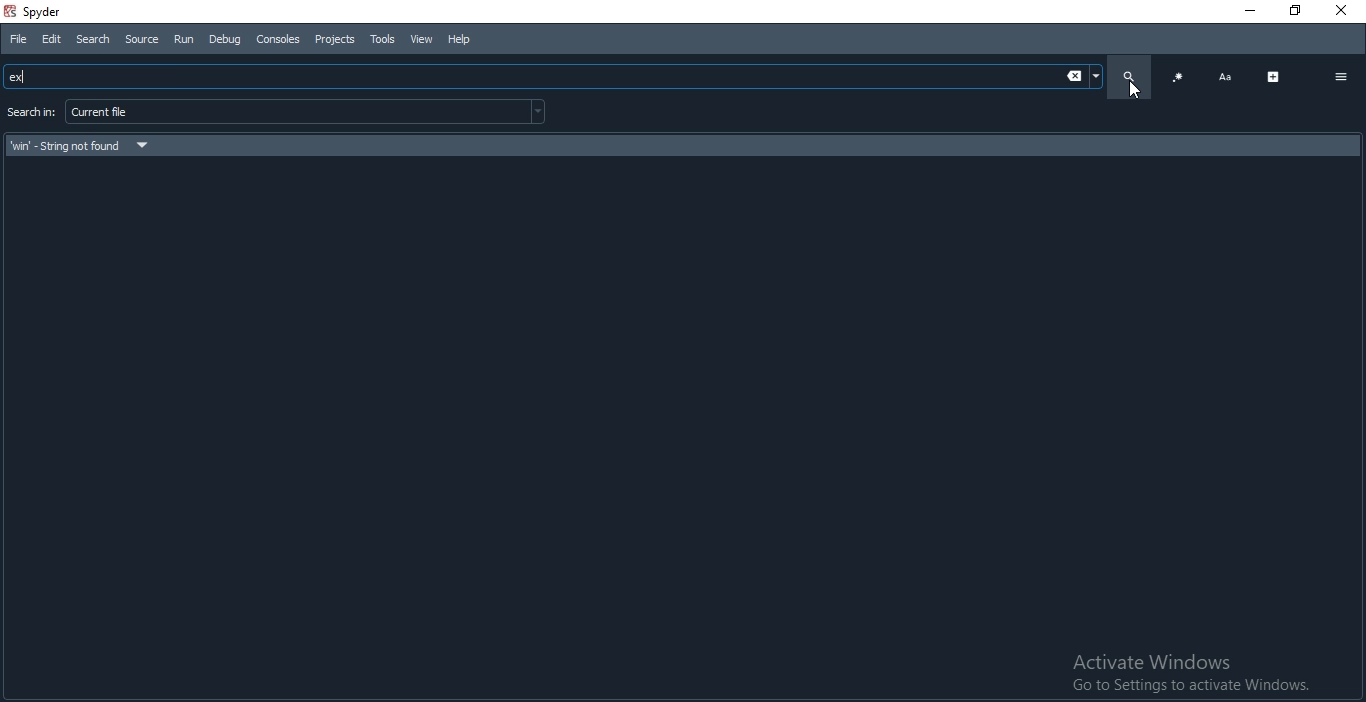 This screenshot has height=702, width=1366. I want to click on Projects, so click(334, 39).